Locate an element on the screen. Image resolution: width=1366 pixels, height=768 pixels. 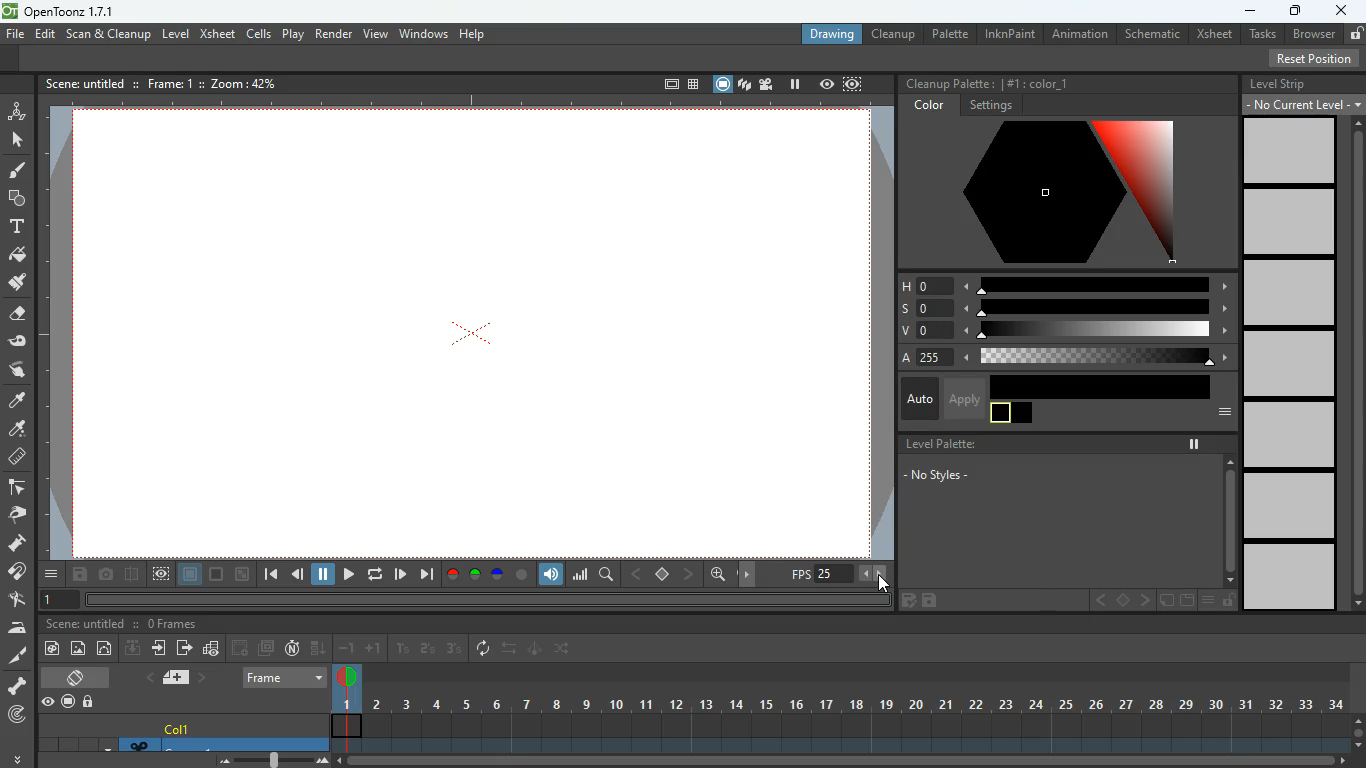
edit is located at coordinates (535, 651).